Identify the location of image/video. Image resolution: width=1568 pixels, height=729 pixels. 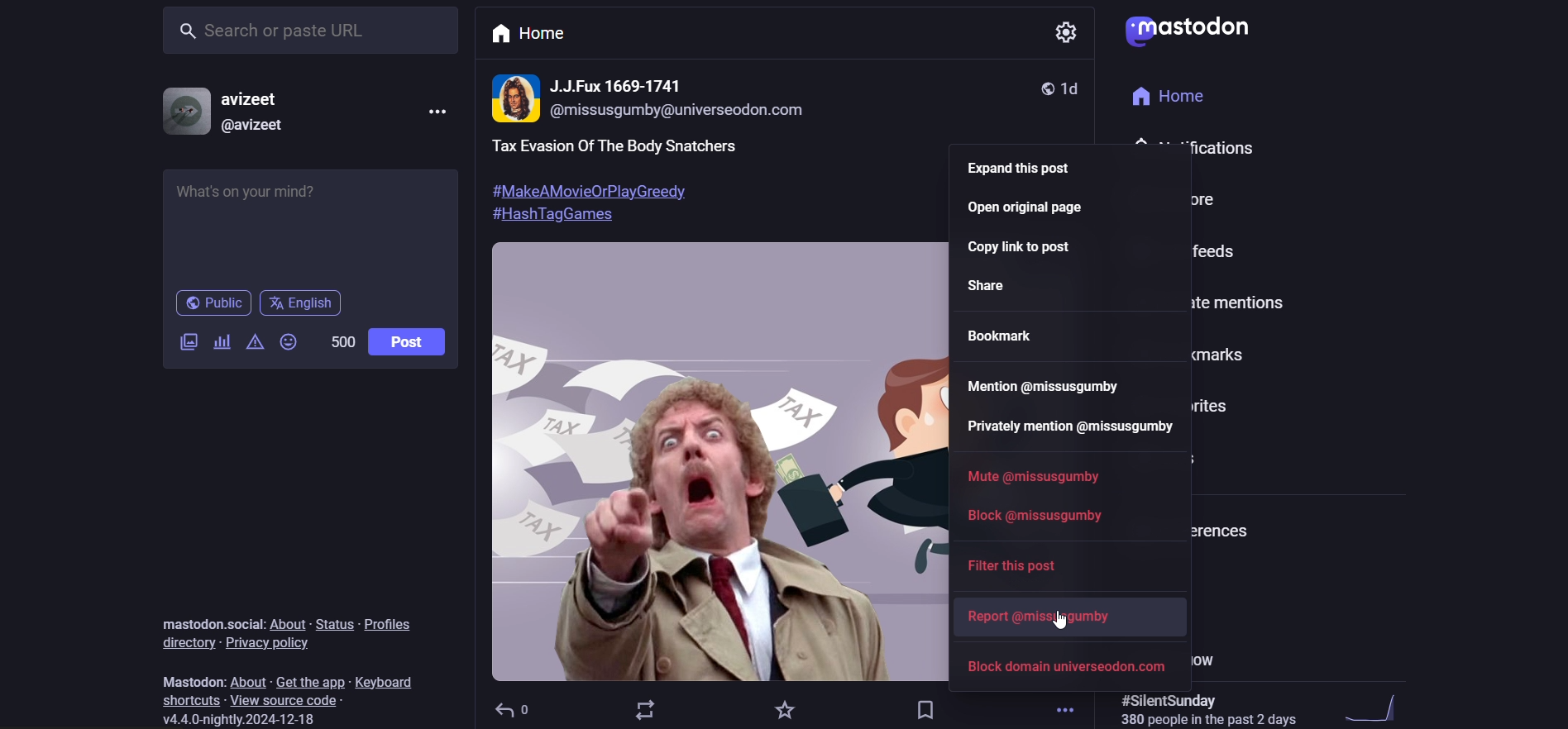
(189, 342).